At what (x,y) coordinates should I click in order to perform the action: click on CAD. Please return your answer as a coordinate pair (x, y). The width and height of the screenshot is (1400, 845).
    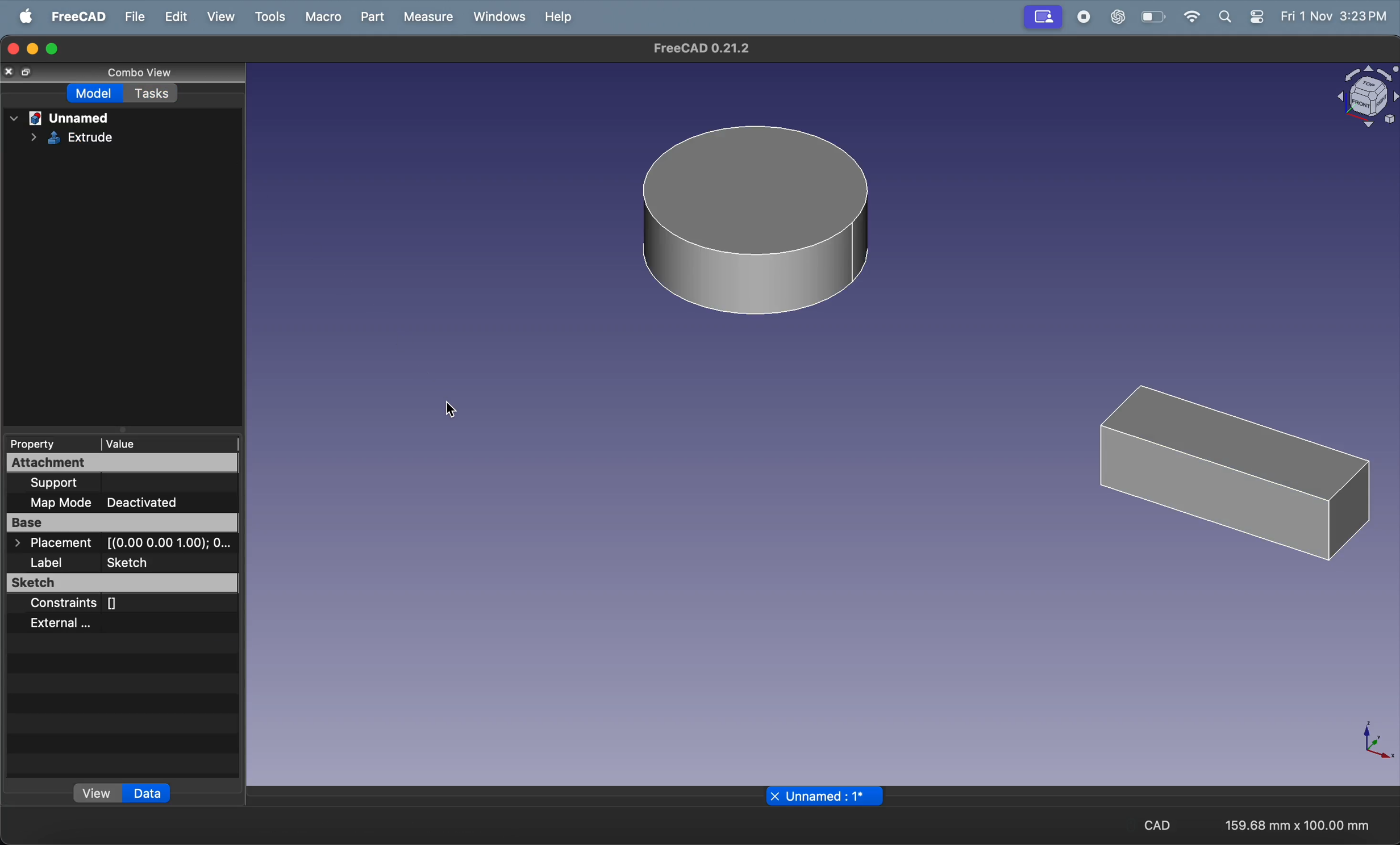
    Looking at the image, I should click on (1158, 824).